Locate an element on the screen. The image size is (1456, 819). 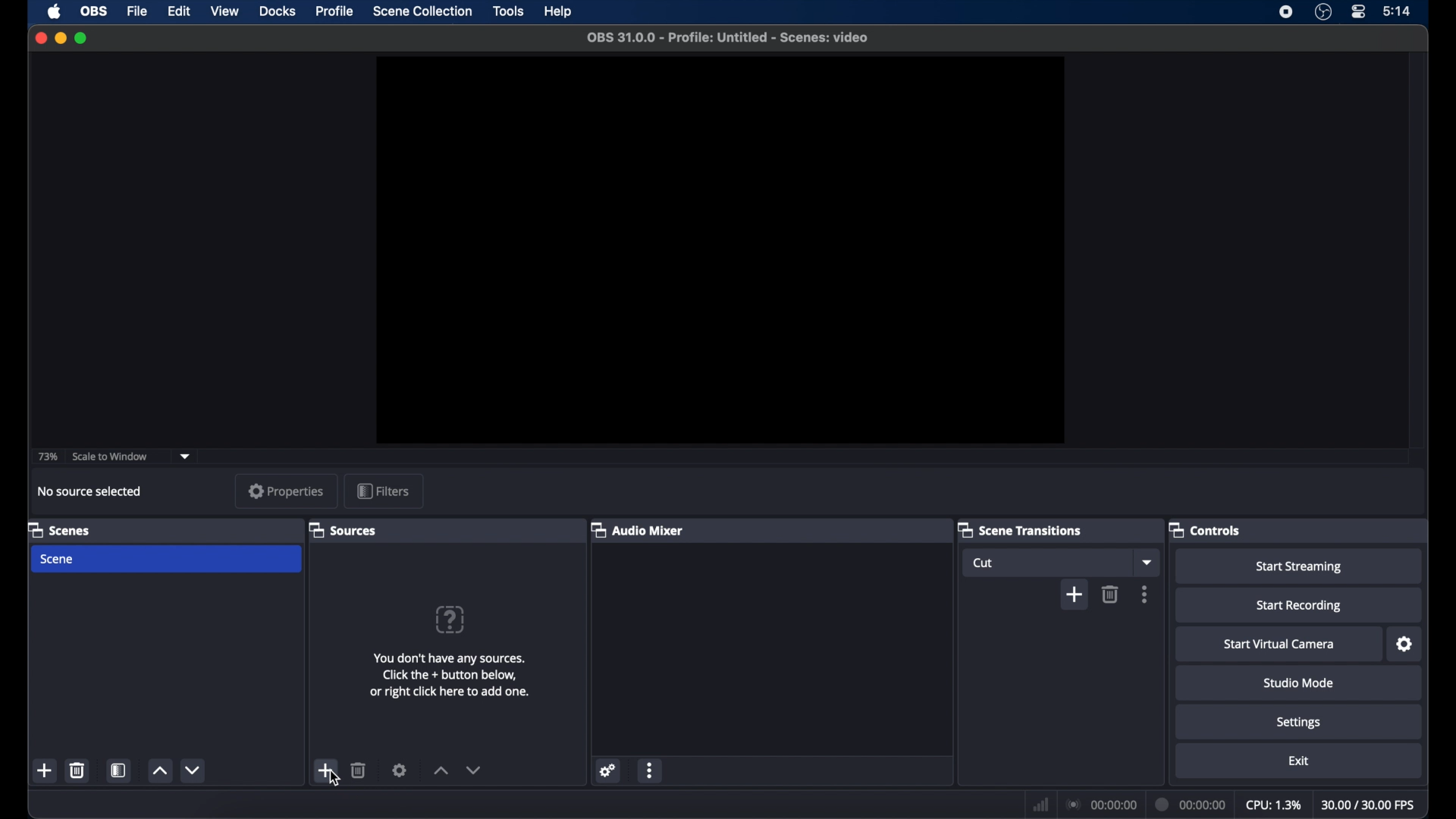
cut is located at coordinates (986, 563).